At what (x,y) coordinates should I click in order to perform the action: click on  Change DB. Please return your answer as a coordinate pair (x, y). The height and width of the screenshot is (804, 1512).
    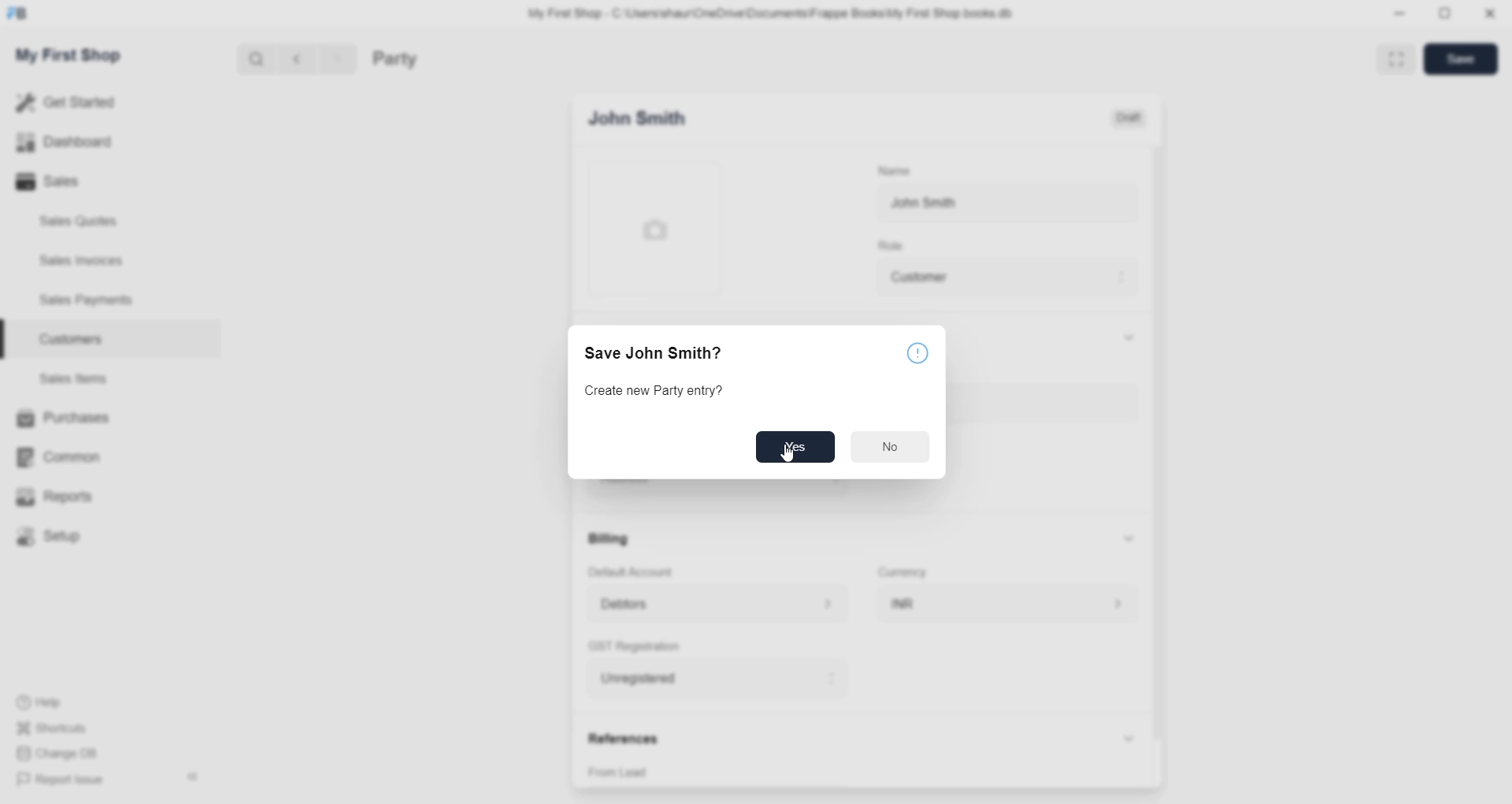
    Looking at the image, I should click on (61, 753).